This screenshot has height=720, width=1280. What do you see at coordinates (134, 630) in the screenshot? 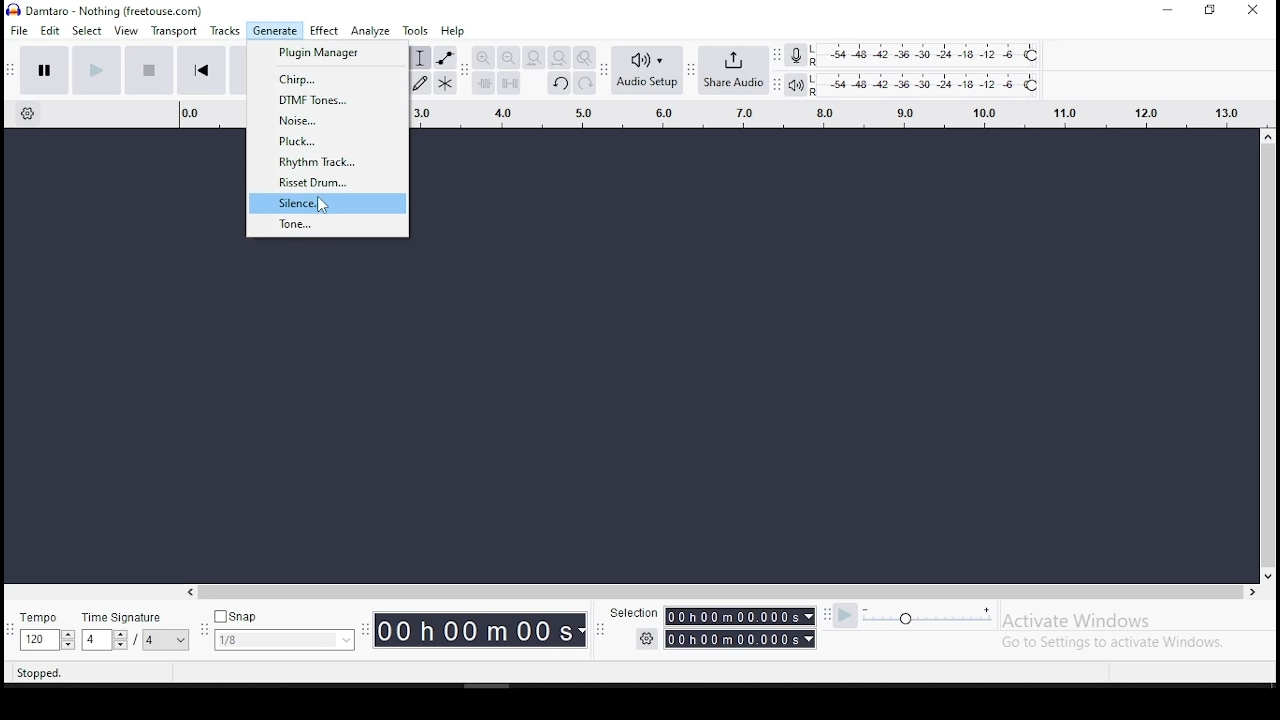
I see `time signature` at bounding box center [134, 630].